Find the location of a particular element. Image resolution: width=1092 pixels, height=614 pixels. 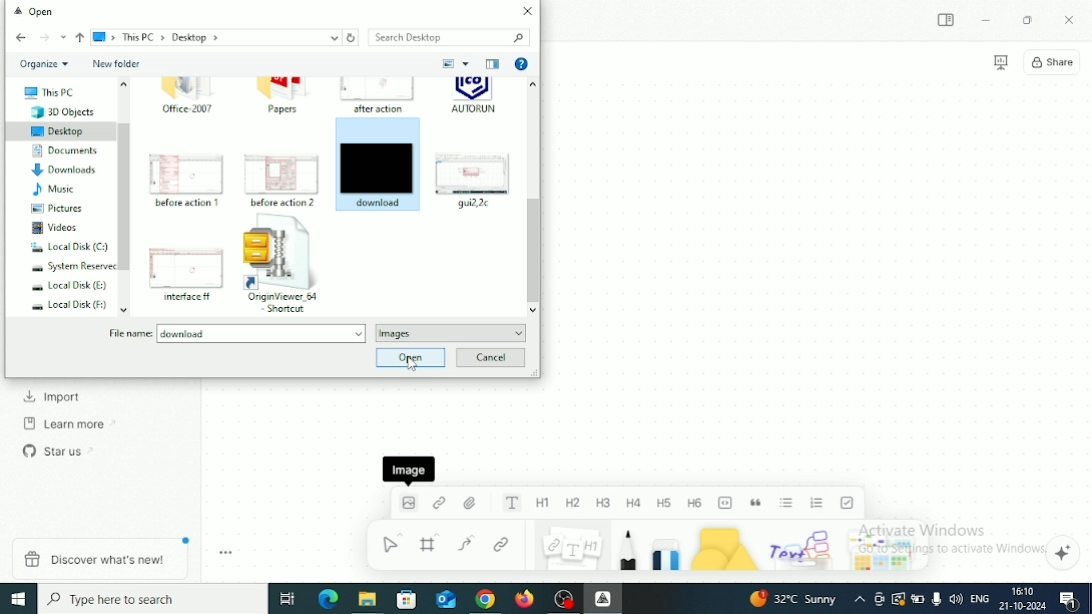

Text is located at coordinates (512, 503).